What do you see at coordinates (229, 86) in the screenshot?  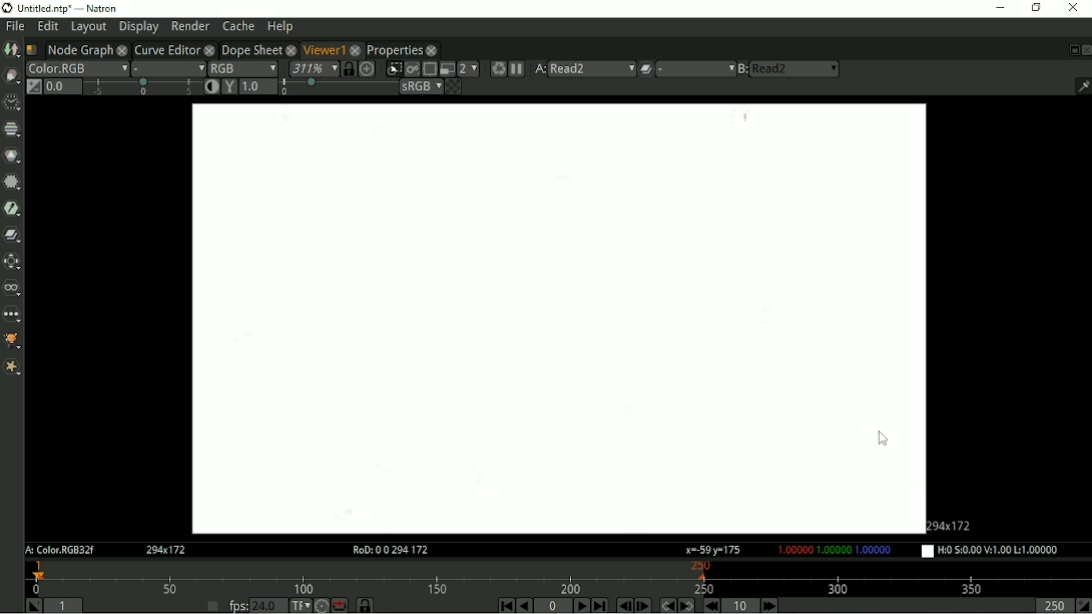 I see `Viewer gamma correction` at bounding box center [229, 86].